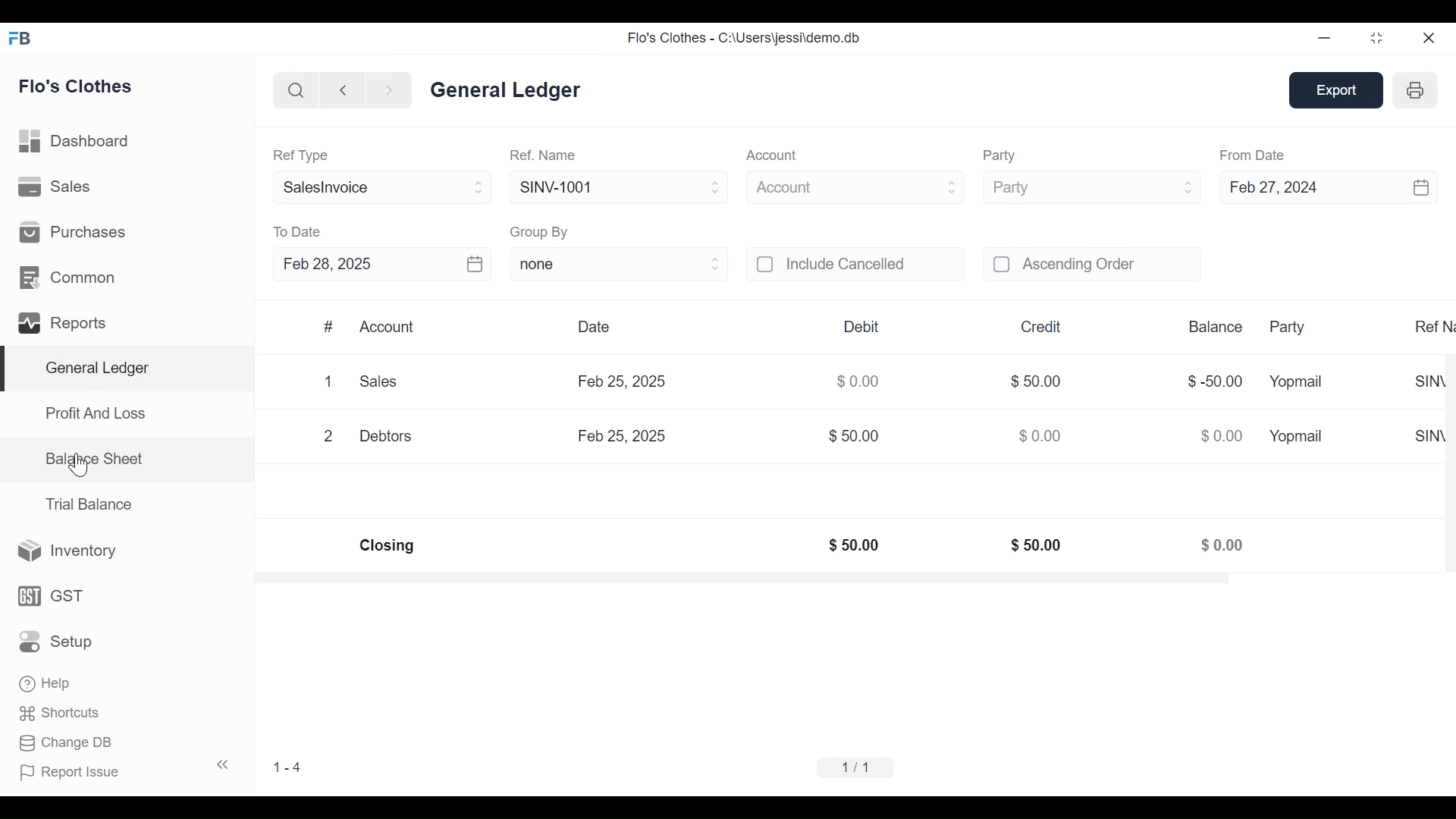  What do you see at coordinates (1289, 328) in the screenshot?
I see `Party` at bounding box center [1289, 328].